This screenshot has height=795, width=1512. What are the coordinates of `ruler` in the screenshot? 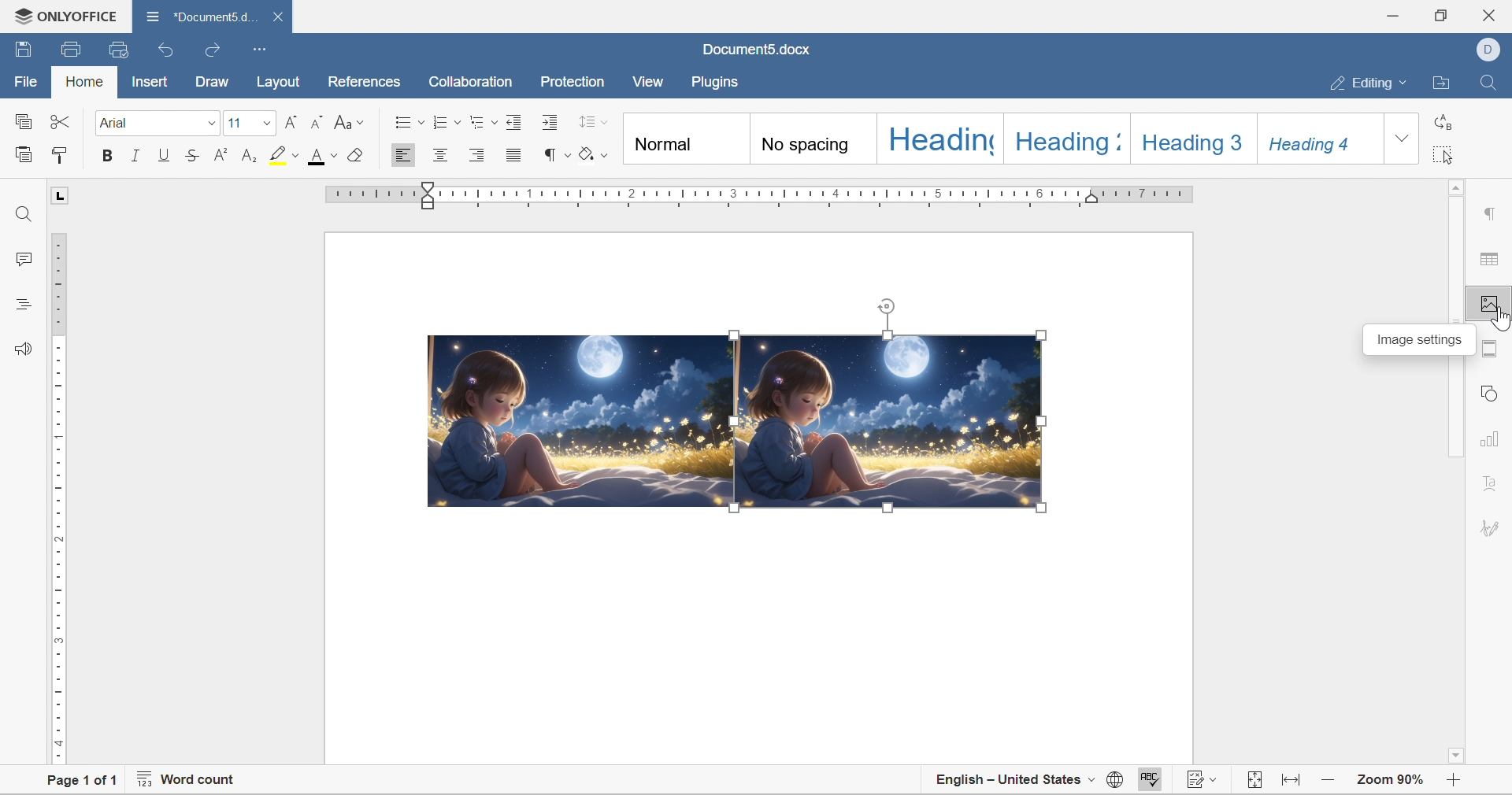 It's located at (763, 197).